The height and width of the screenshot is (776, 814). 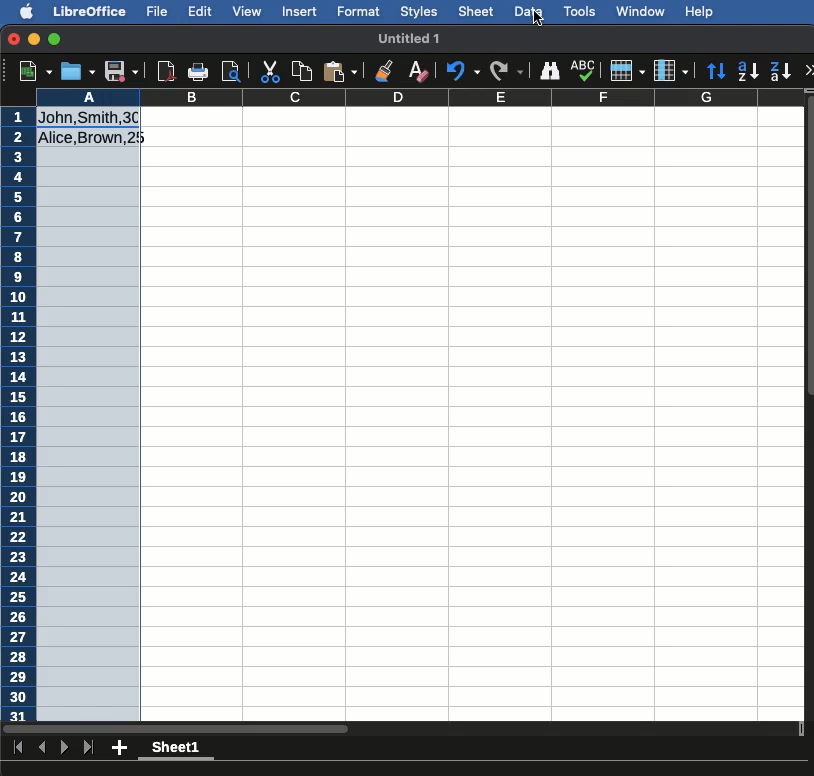 I want to click on Window, so click(x=644, y=12).